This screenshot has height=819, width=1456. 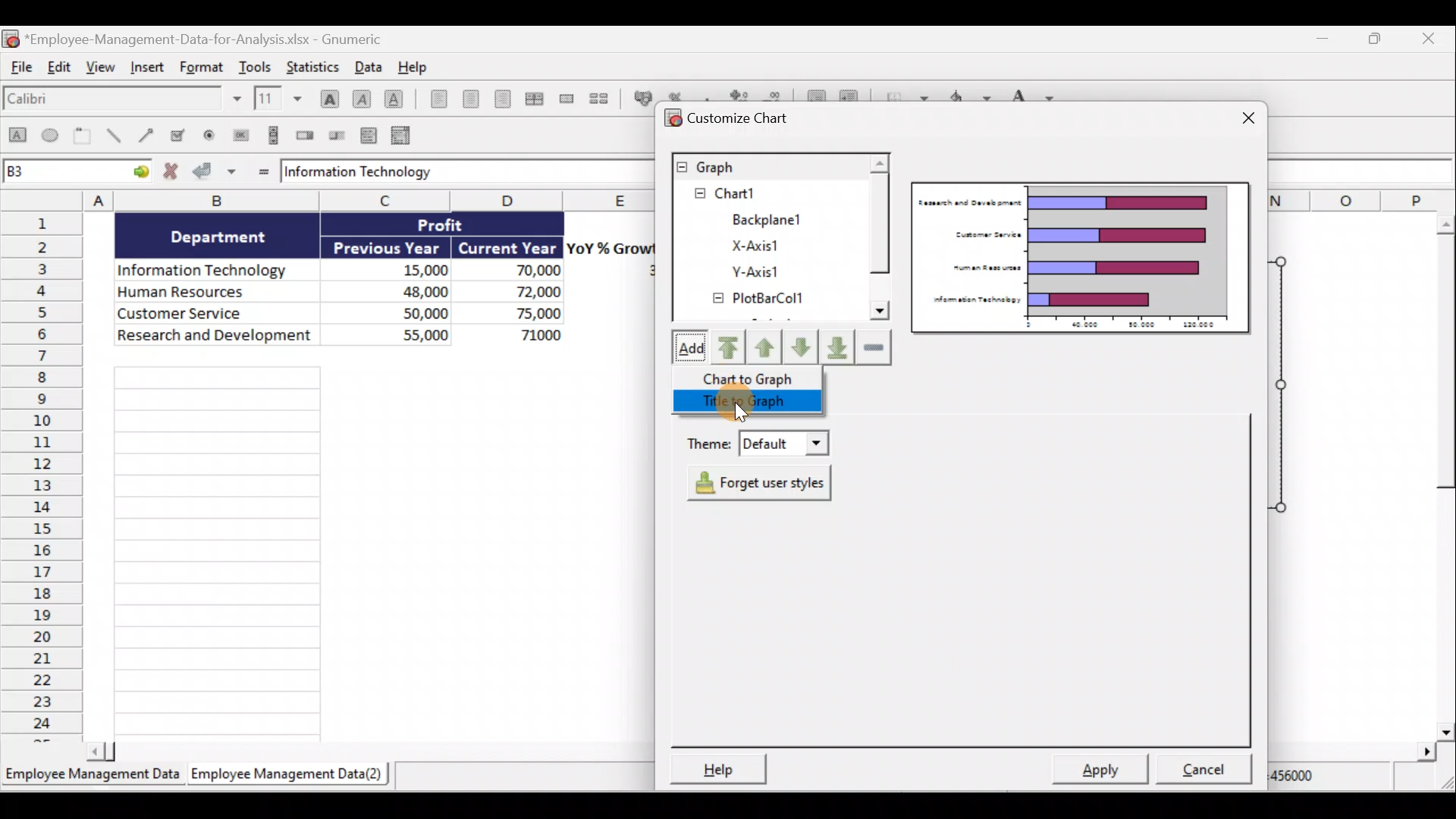 I want to click on Customize chart, so click(x=740, y=118).